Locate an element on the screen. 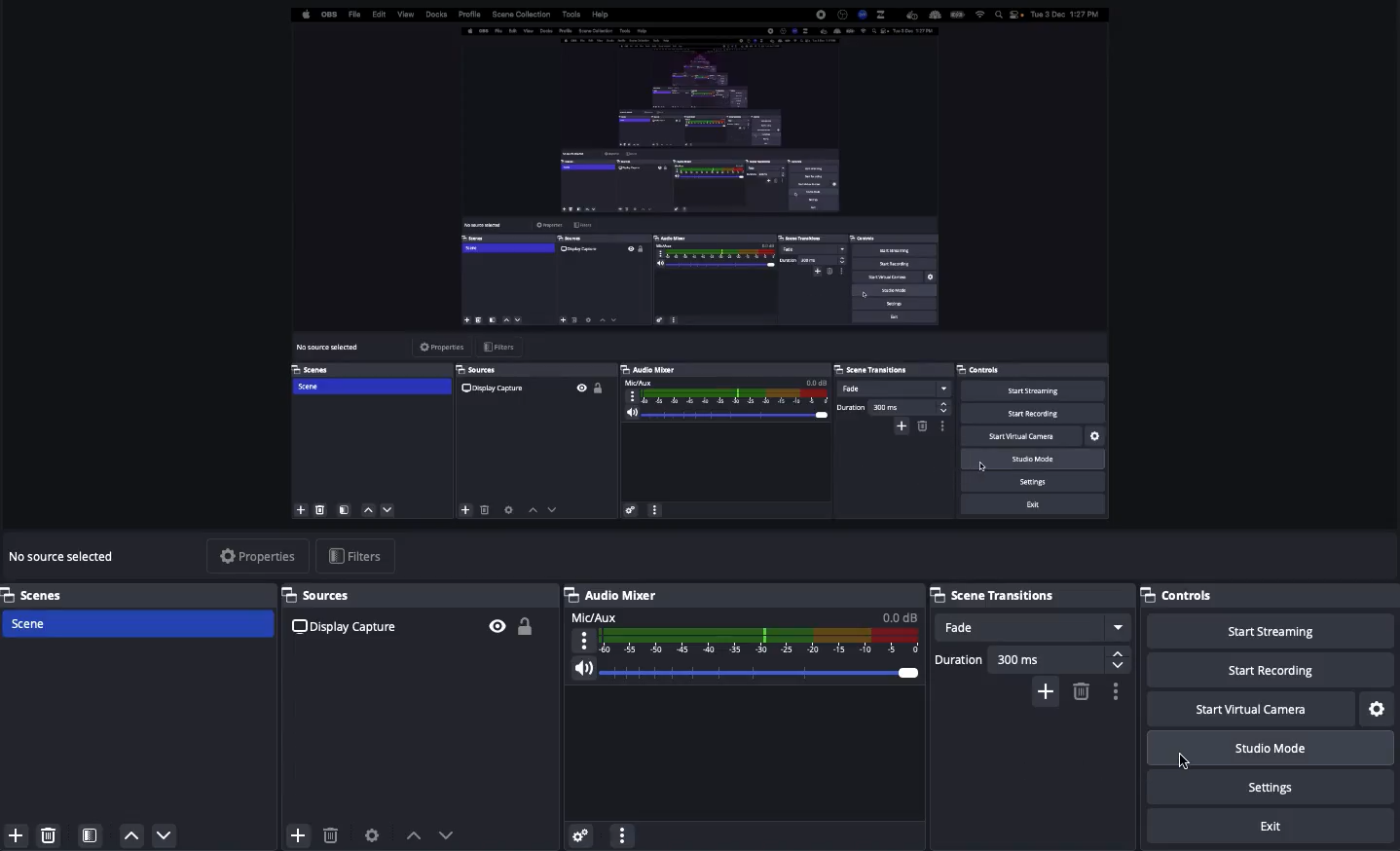 The width and height of the screenshot is (1400, 851). Scenes is located at coordinates (138, 594).